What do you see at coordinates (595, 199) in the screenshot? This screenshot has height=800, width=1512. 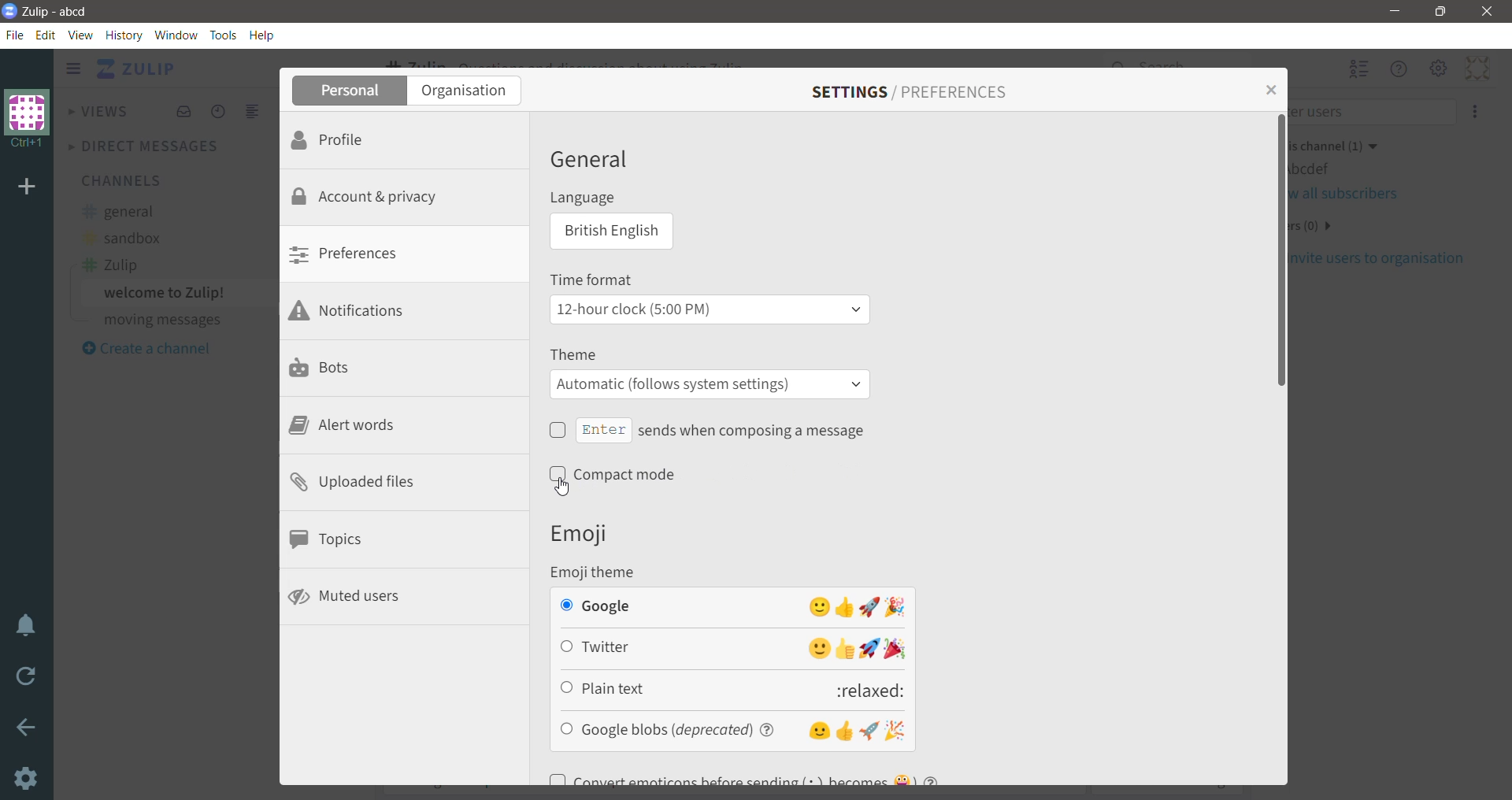 I see `Language` at bounding box center [595, 199].